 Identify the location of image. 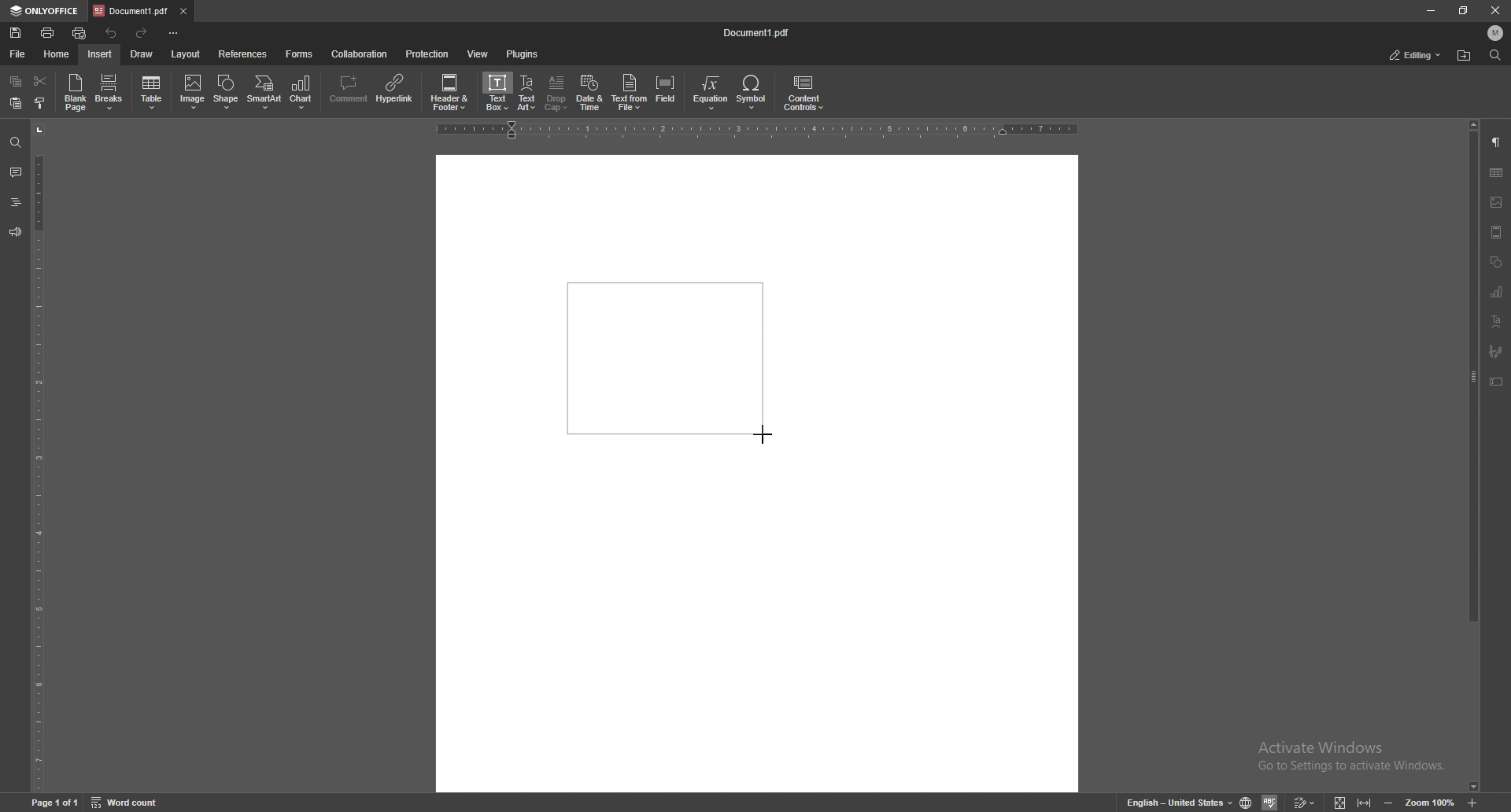
(193, 91).